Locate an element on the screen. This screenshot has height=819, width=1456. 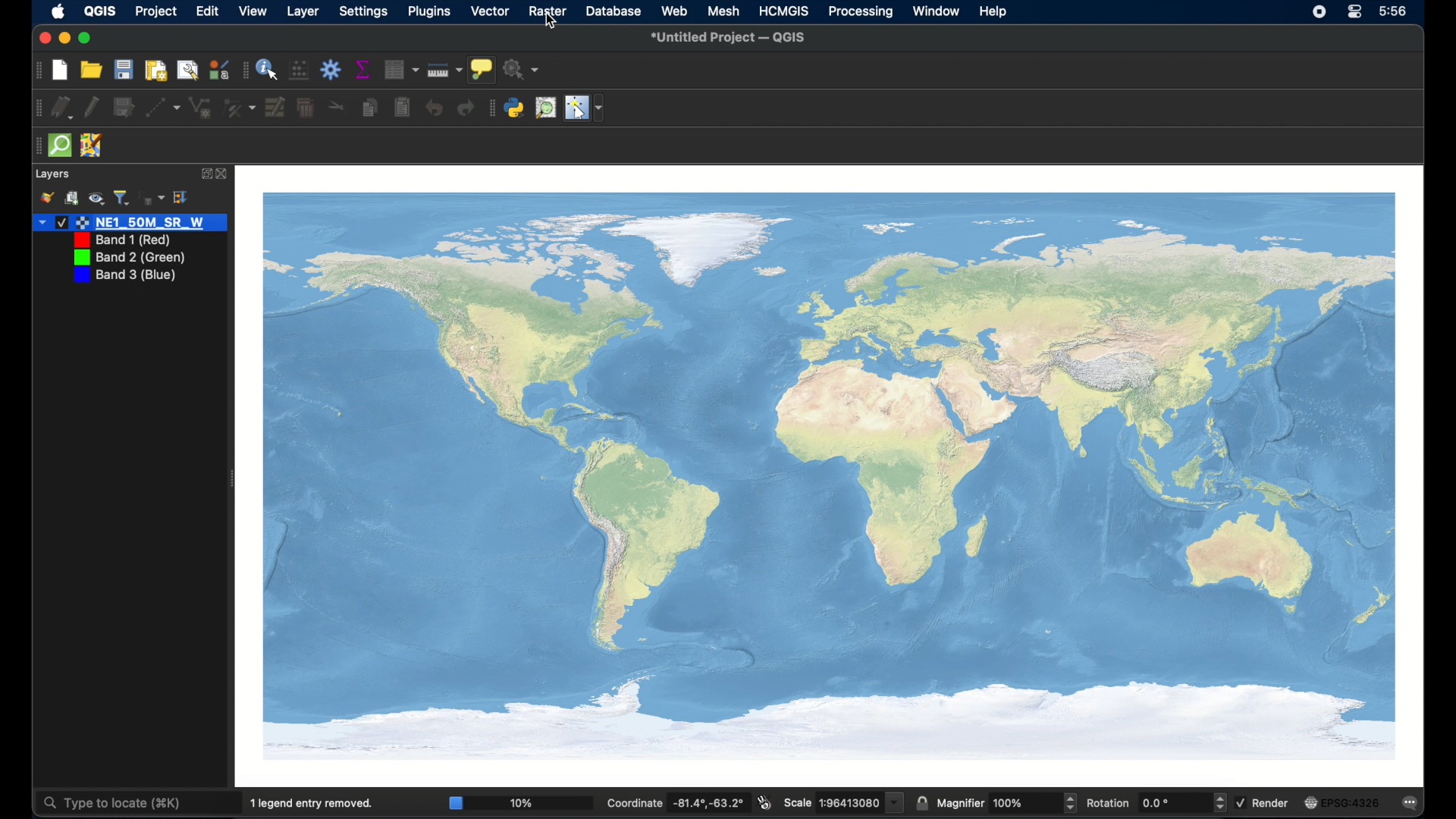
project is located at coordinates (156, 12).